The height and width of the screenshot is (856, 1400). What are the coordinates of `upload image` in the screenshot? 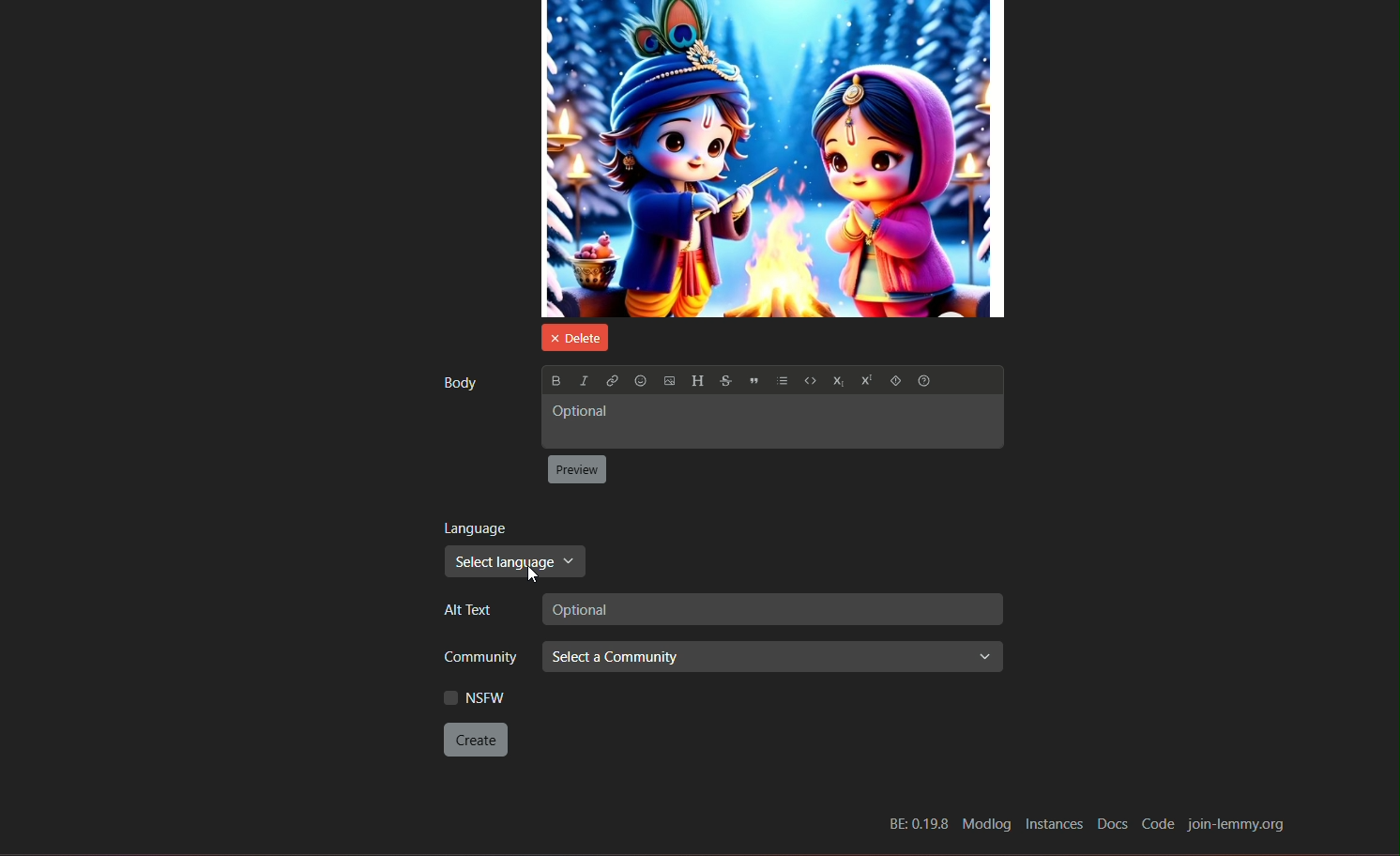 It's located at (669, 382).